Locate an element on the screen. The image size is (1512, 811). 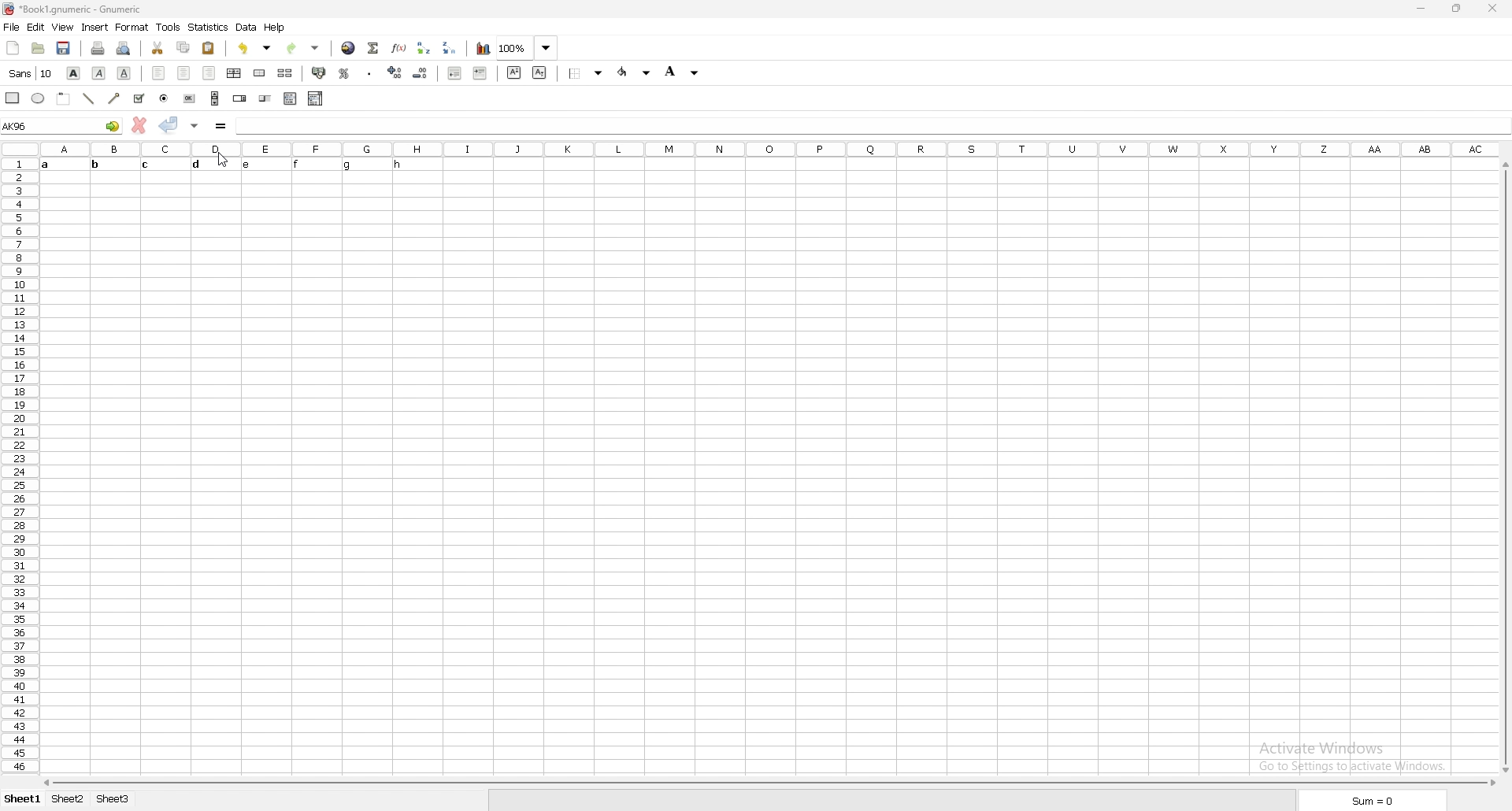
right align is located at coordinates (210, 72).